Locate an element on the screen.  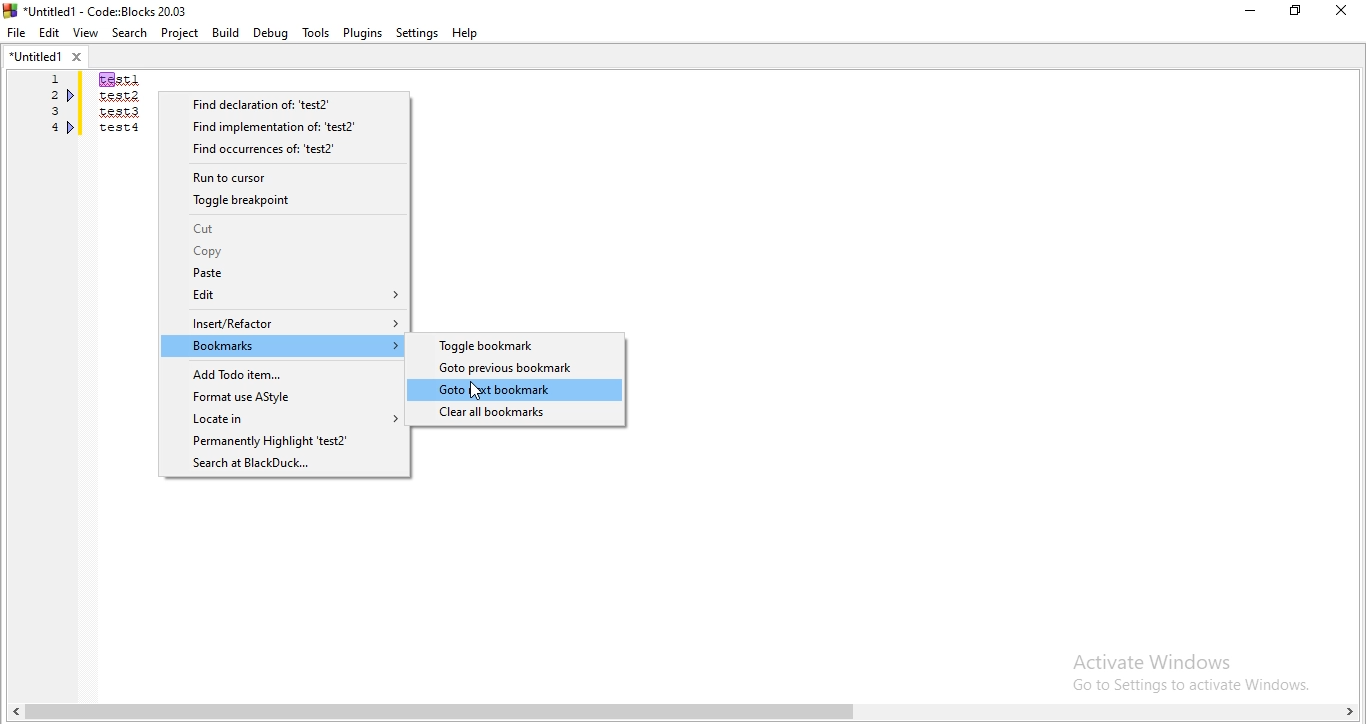
file is located at coordinates (16, 31).